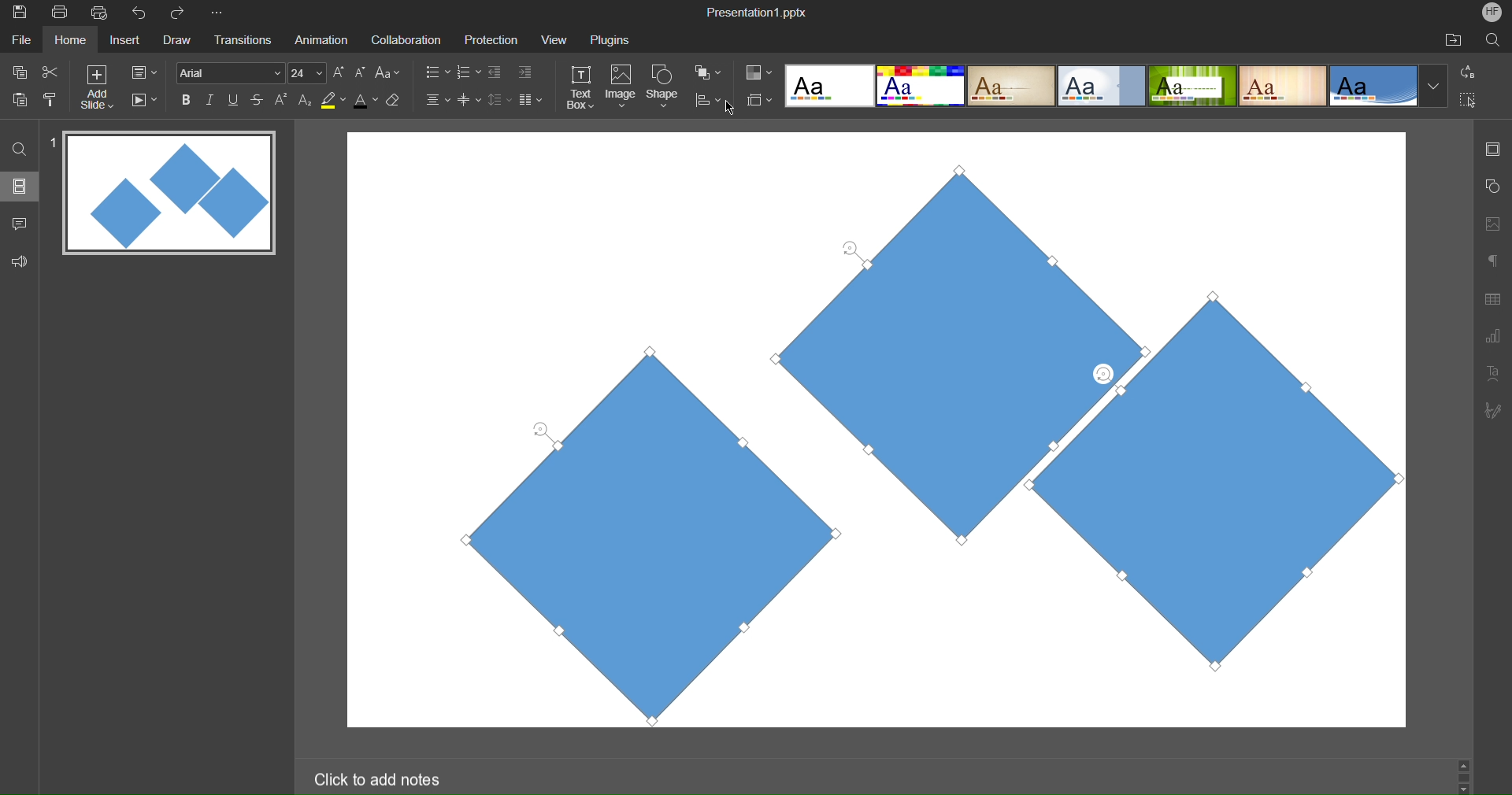 Image resolution: width=1512 pixels, height=795 pixels. What do you see at coordinates (436, 99) in the screenshot?
I see `Alignment` at bounding box center [436, 99].